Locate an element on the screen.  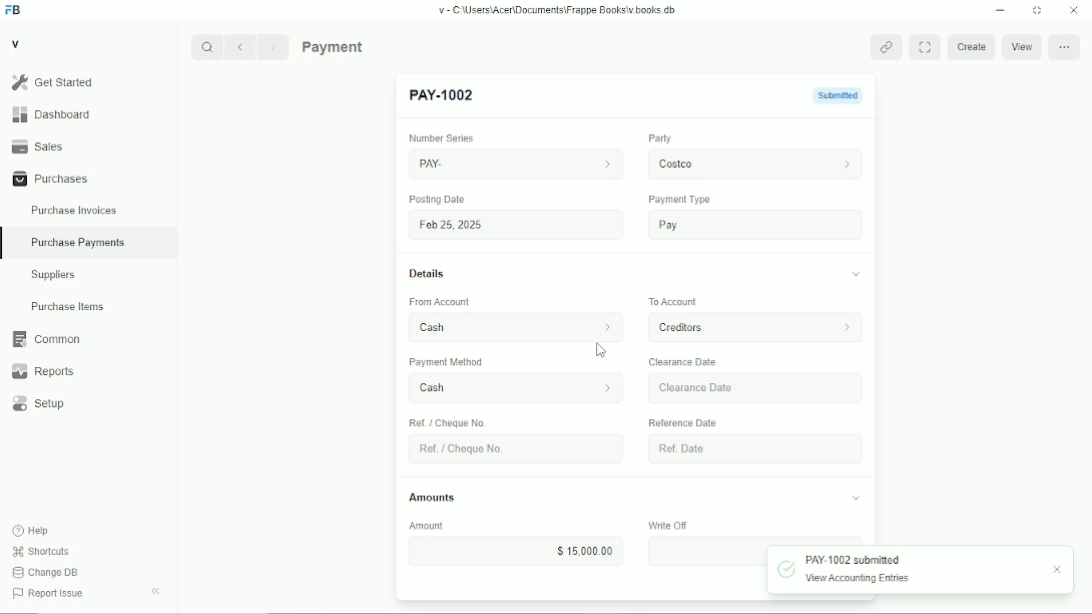
Party is located at coordinates (656, 138).